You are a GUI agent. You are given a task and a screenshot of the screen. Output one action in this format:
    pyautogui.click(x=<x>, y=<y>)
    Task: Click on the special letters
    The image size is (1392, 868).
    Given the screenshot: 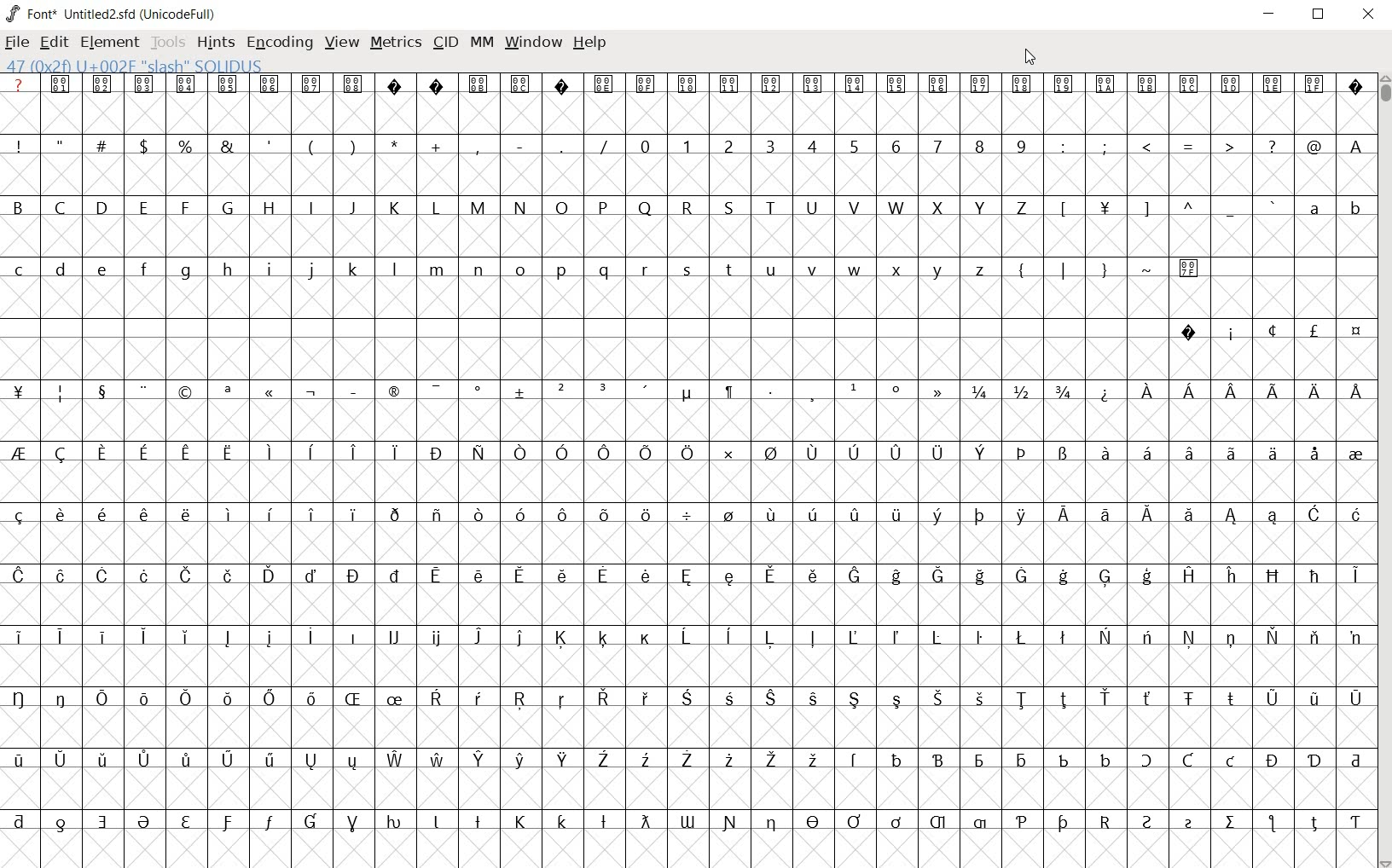 What is the action you would take?
    pyautogui.click(x=689, y=453)
    